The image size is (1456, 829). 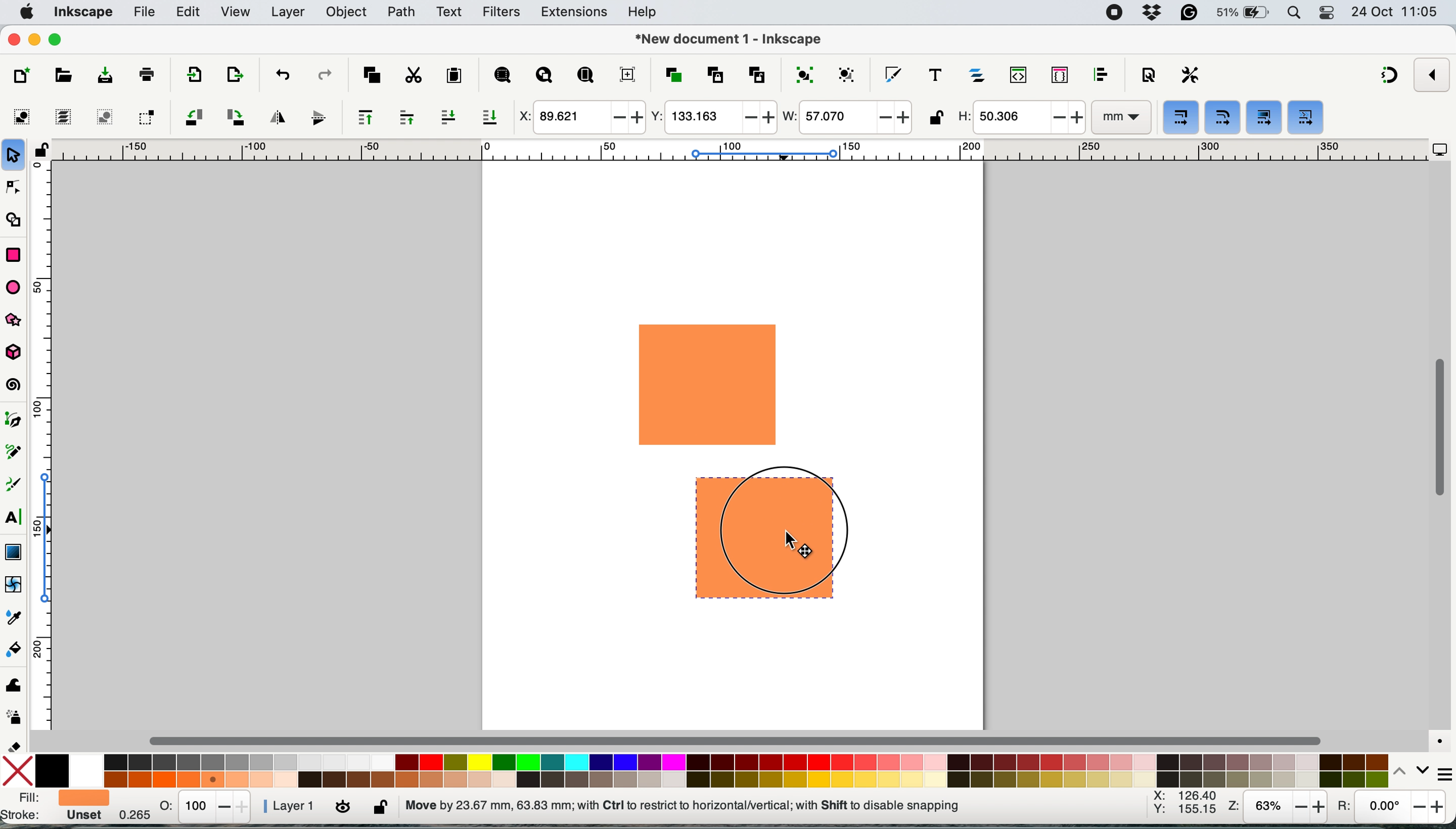 I want to click on object, so click(x=349, y=12).